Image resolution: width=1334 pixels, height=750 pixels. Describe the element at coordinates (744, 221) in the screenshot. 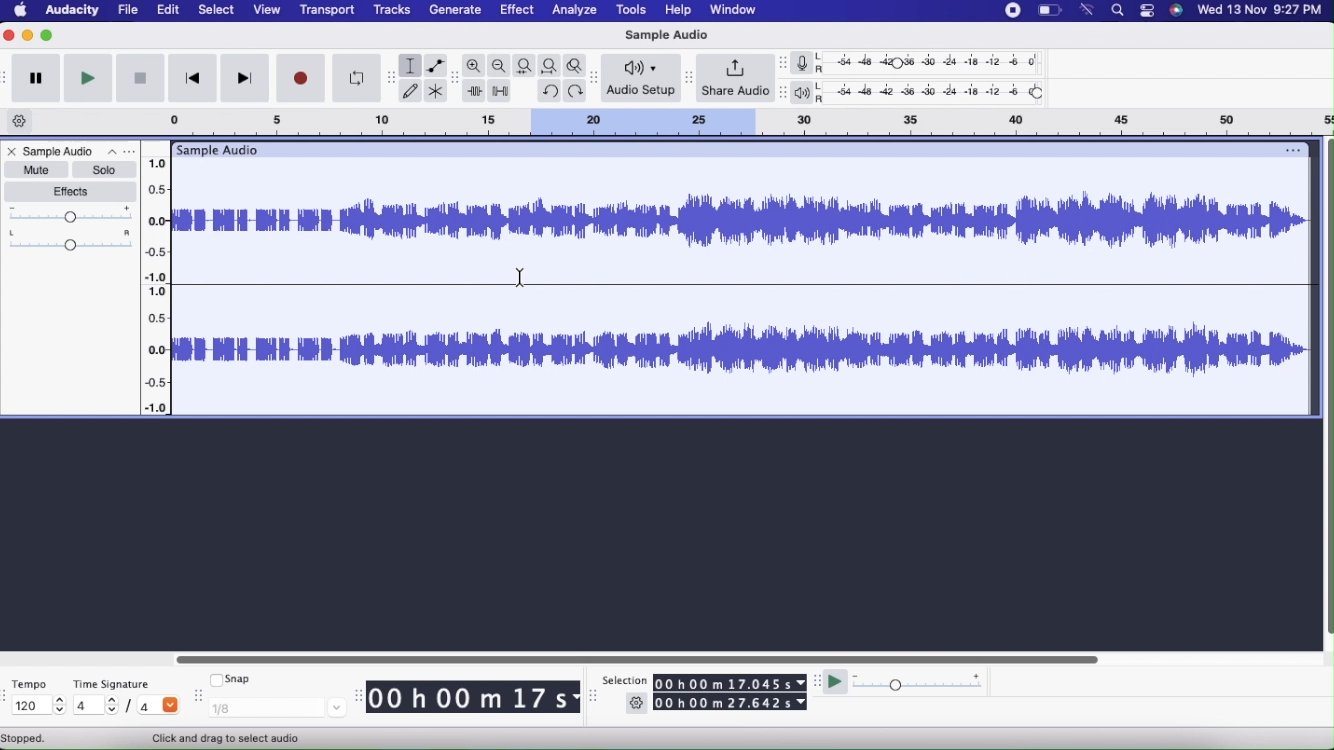

I see `audio track` at that location.